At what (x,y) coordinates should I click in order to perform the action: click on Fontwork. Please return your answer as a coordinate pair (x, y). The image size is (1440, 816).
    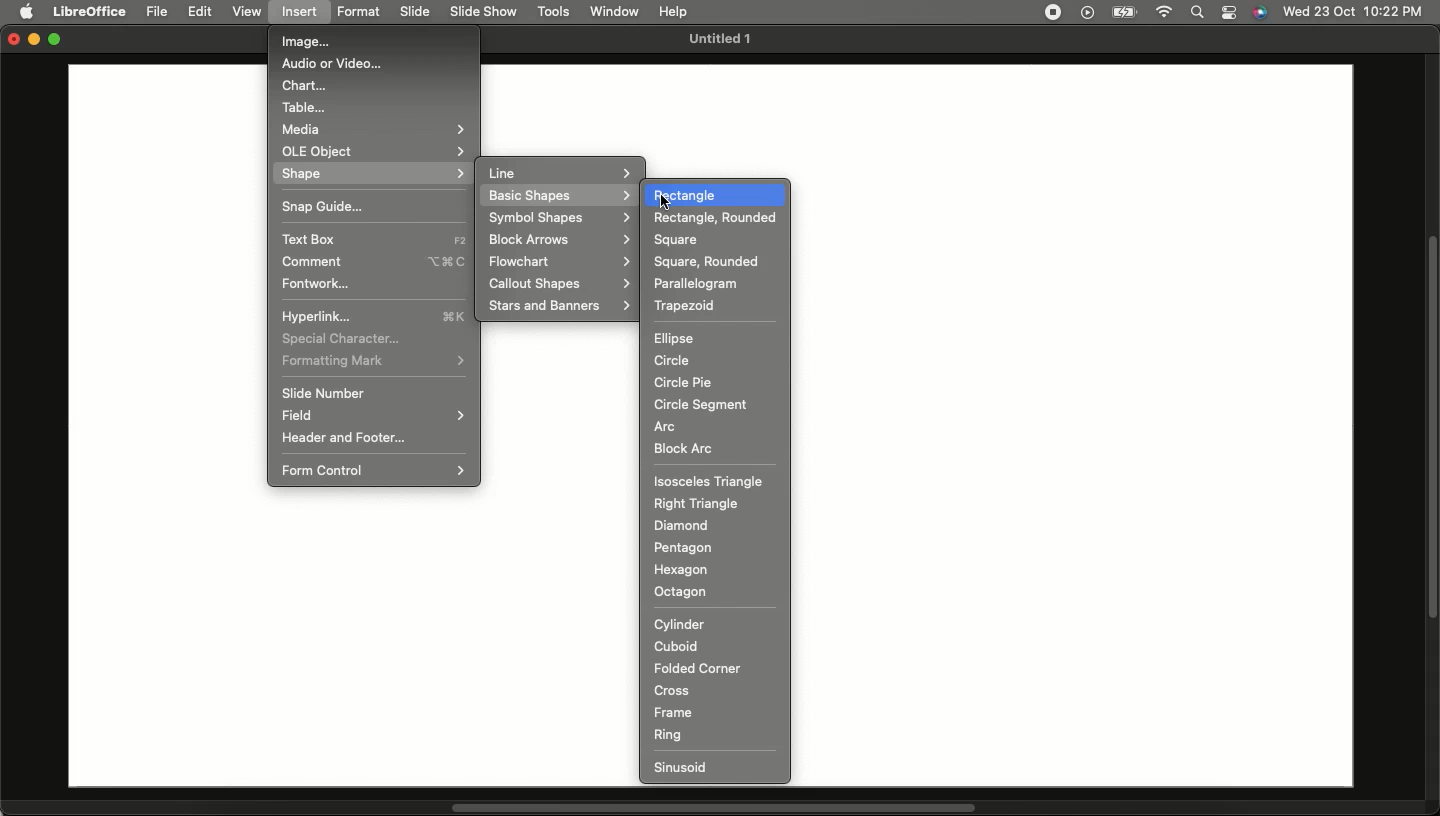
    Looking at the image, I should click on (316, 283).